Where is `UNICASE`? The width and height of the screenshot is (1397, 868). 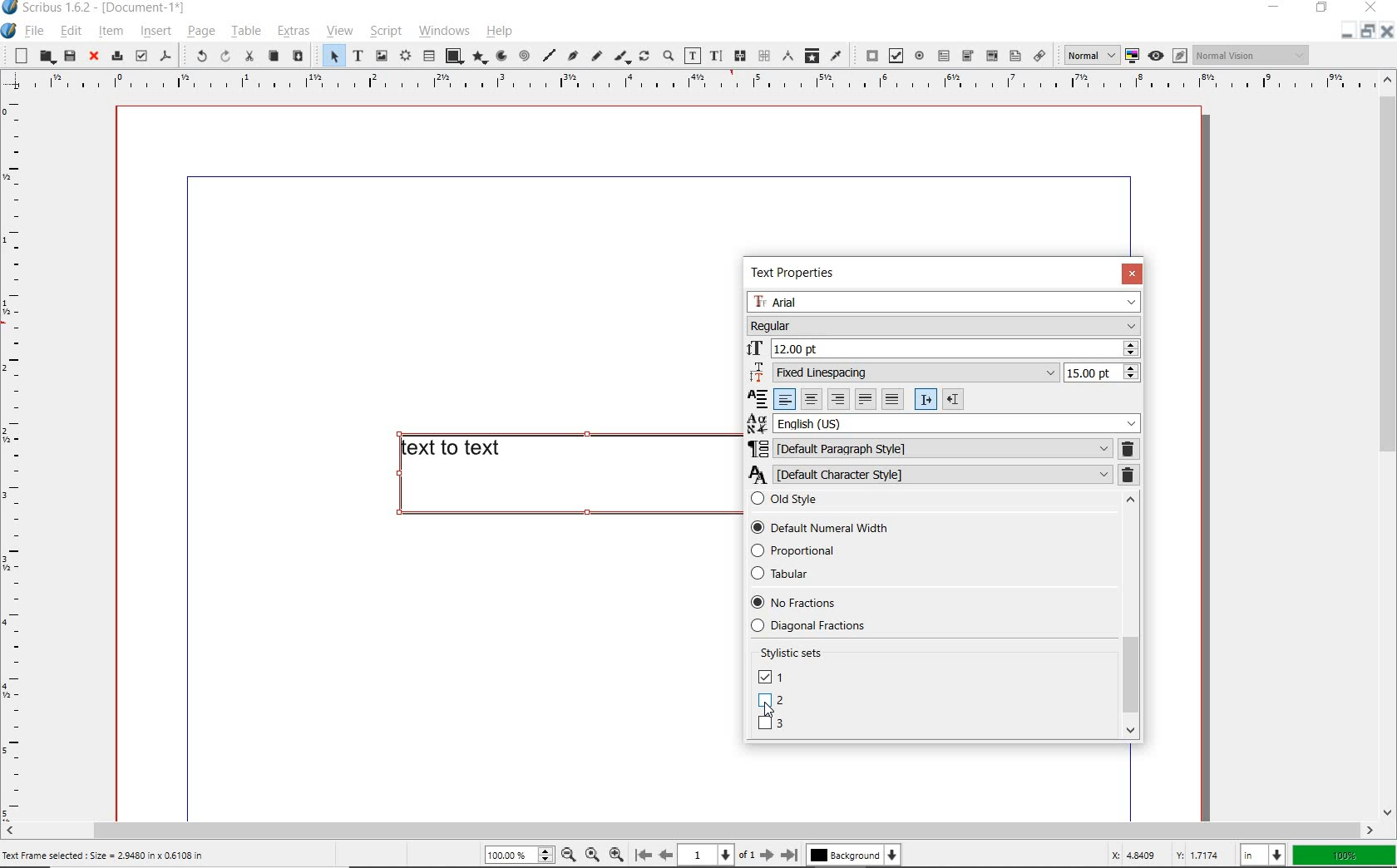
UNICASE is located at coordinates (770, 677).